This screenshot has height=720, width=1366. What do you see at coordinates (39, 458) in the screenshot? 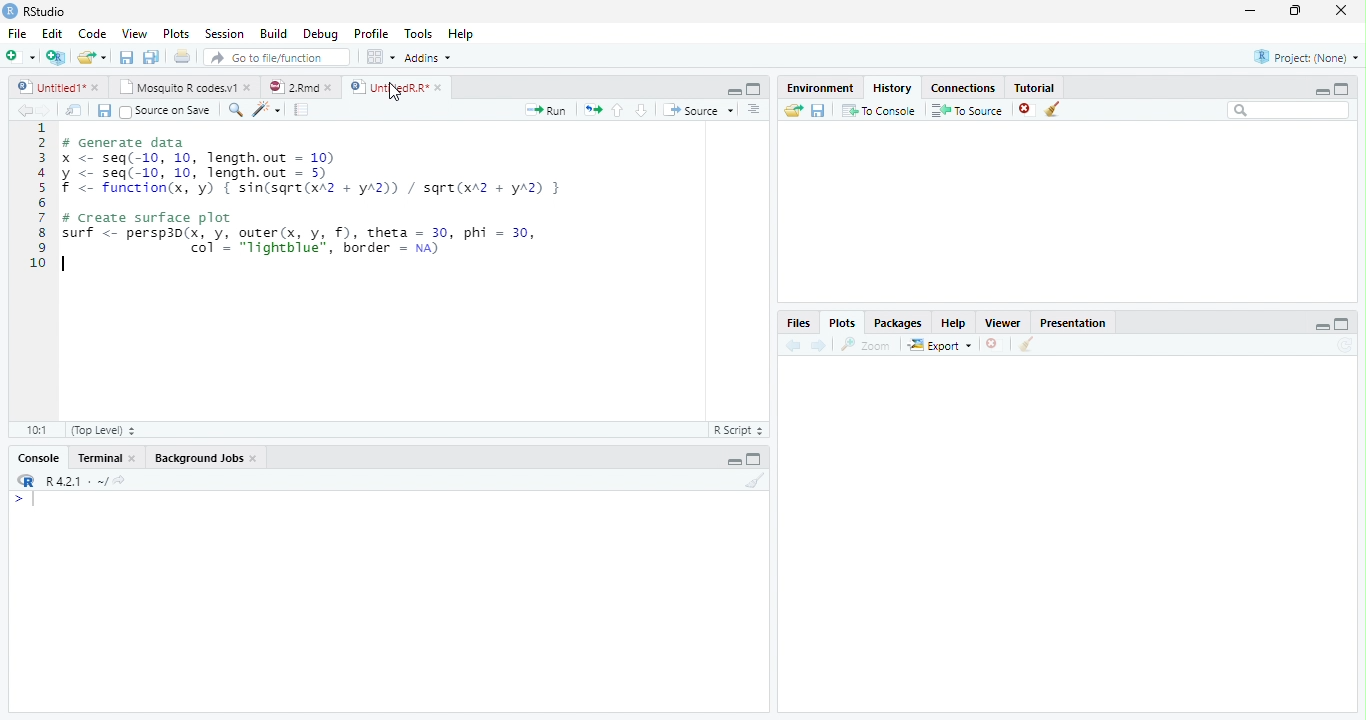
I see `Console` at bounding box center [39, 458].